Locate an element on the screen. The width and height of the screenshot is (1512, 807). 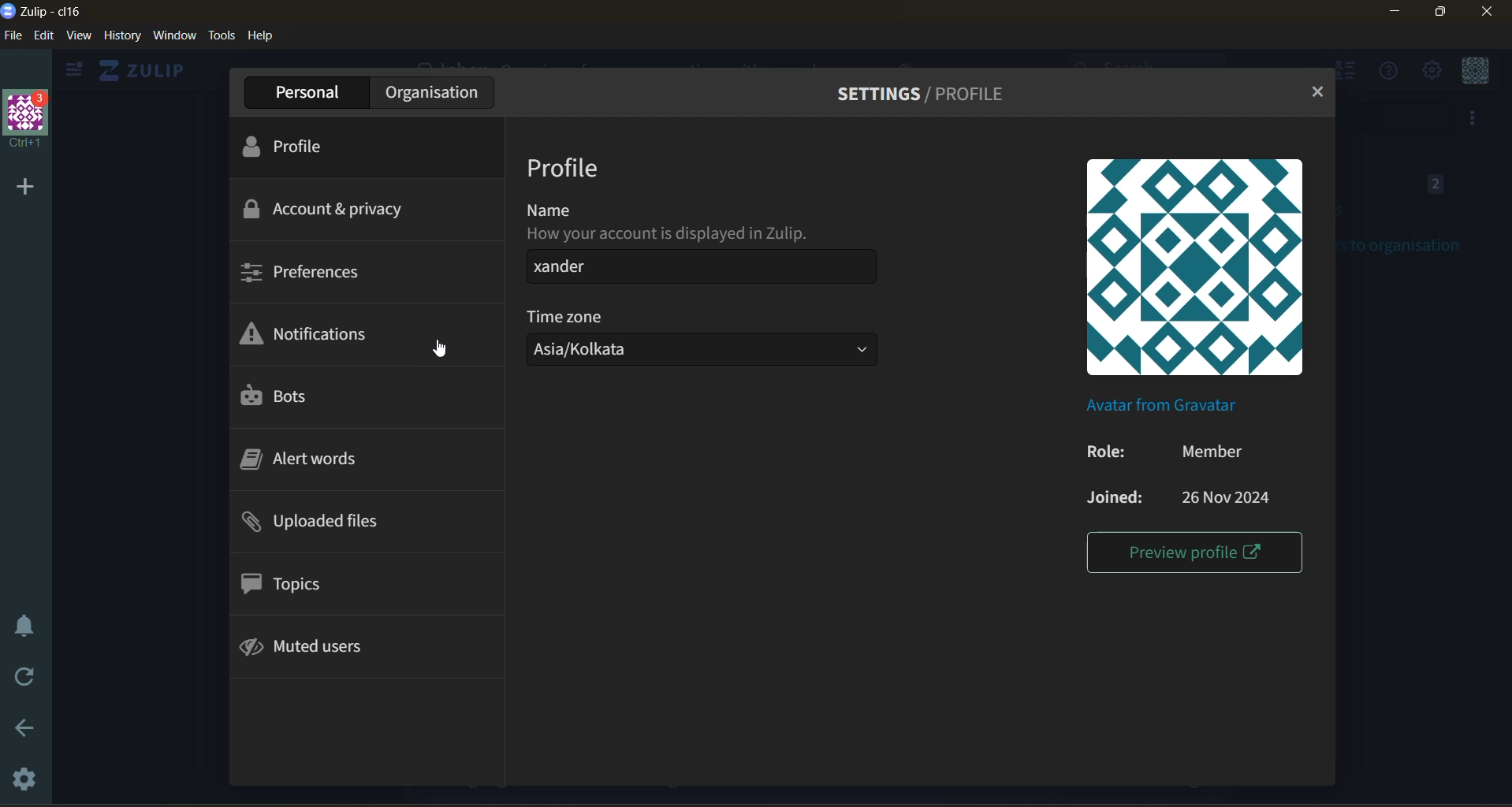
organisation profile is located at coordinates (28, 119).